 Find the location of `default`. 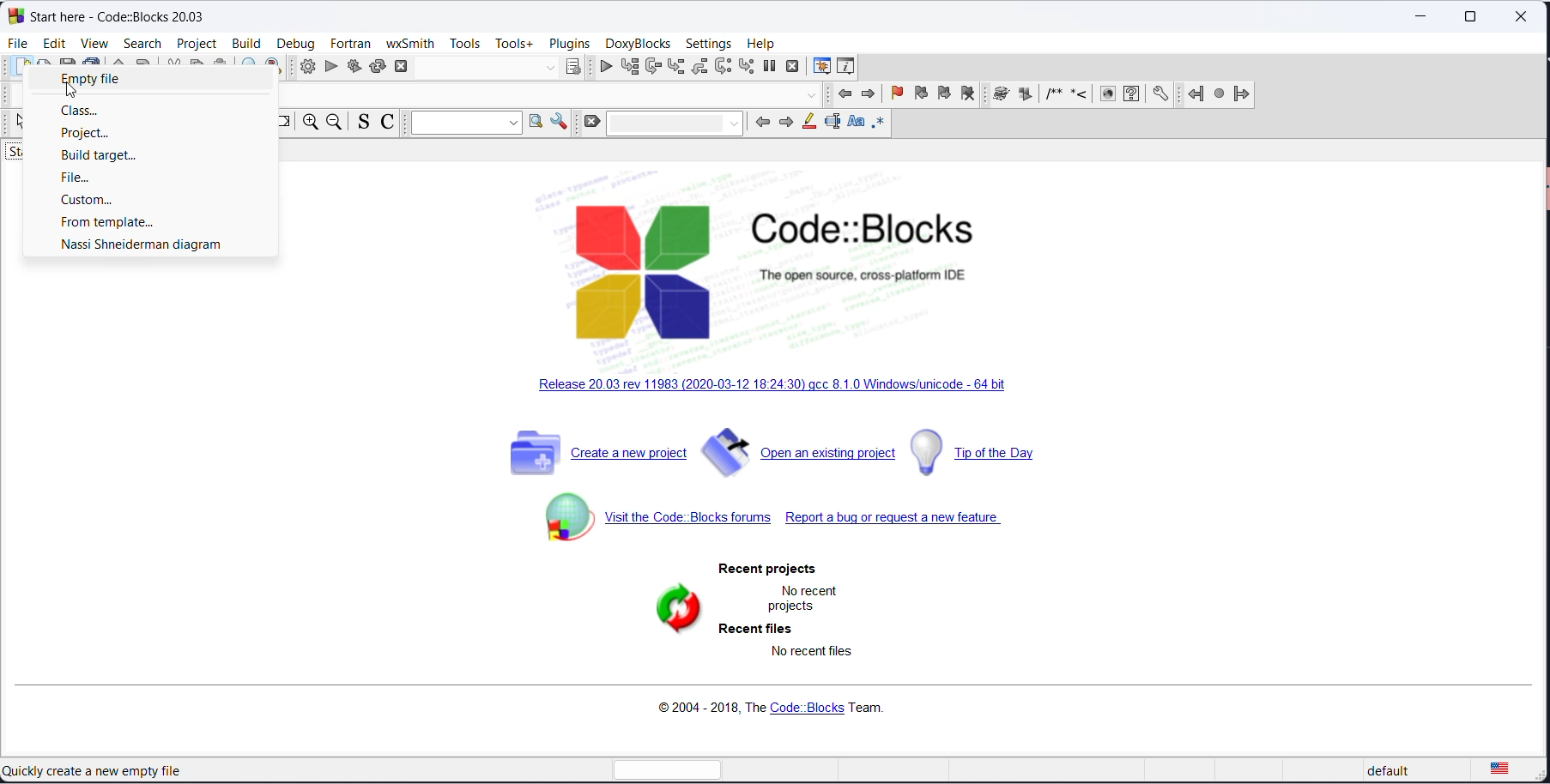

default is located at coordinates (1388, 769).